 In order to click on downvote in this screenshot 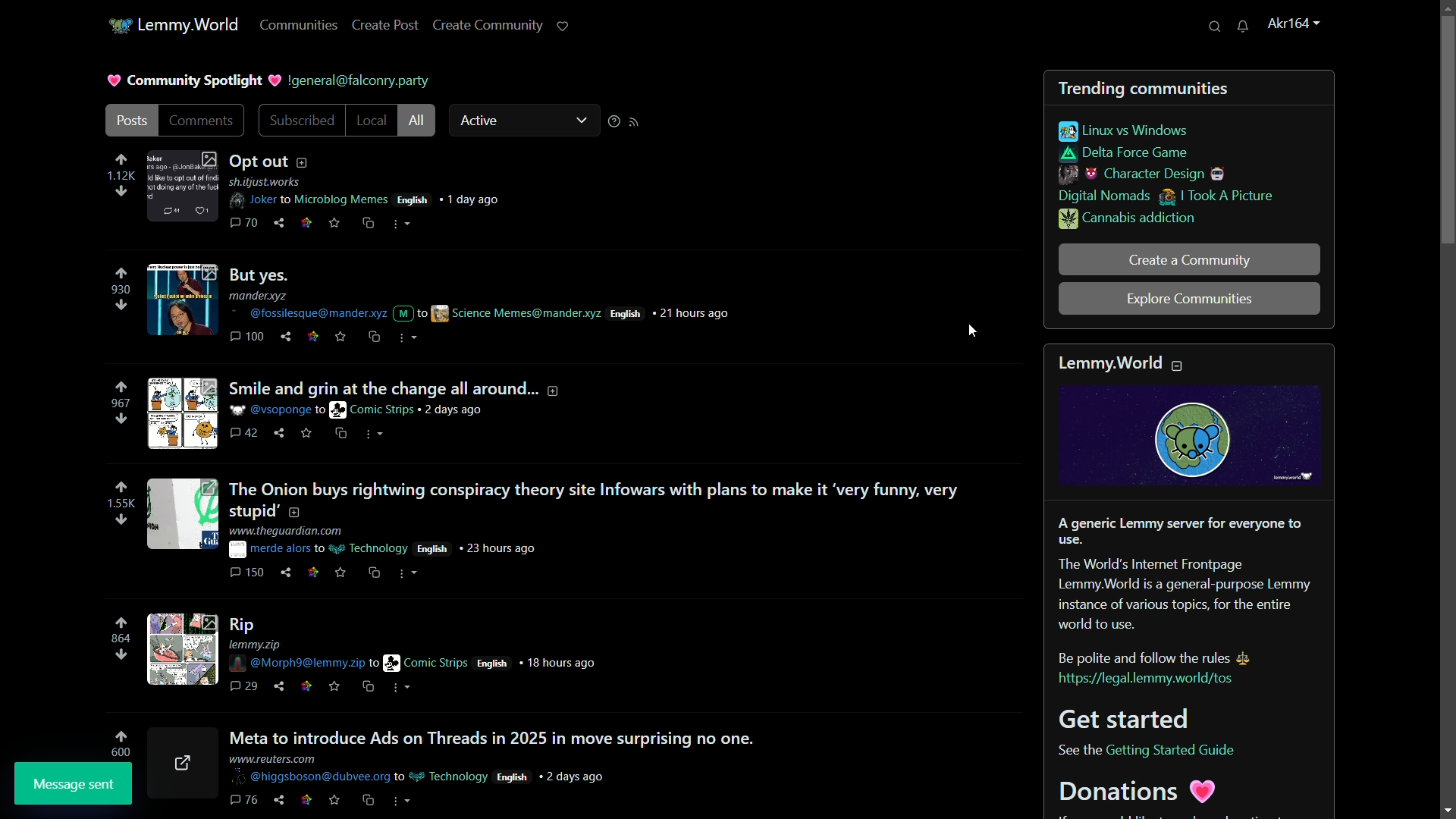, I will do `click(121, 191)`.